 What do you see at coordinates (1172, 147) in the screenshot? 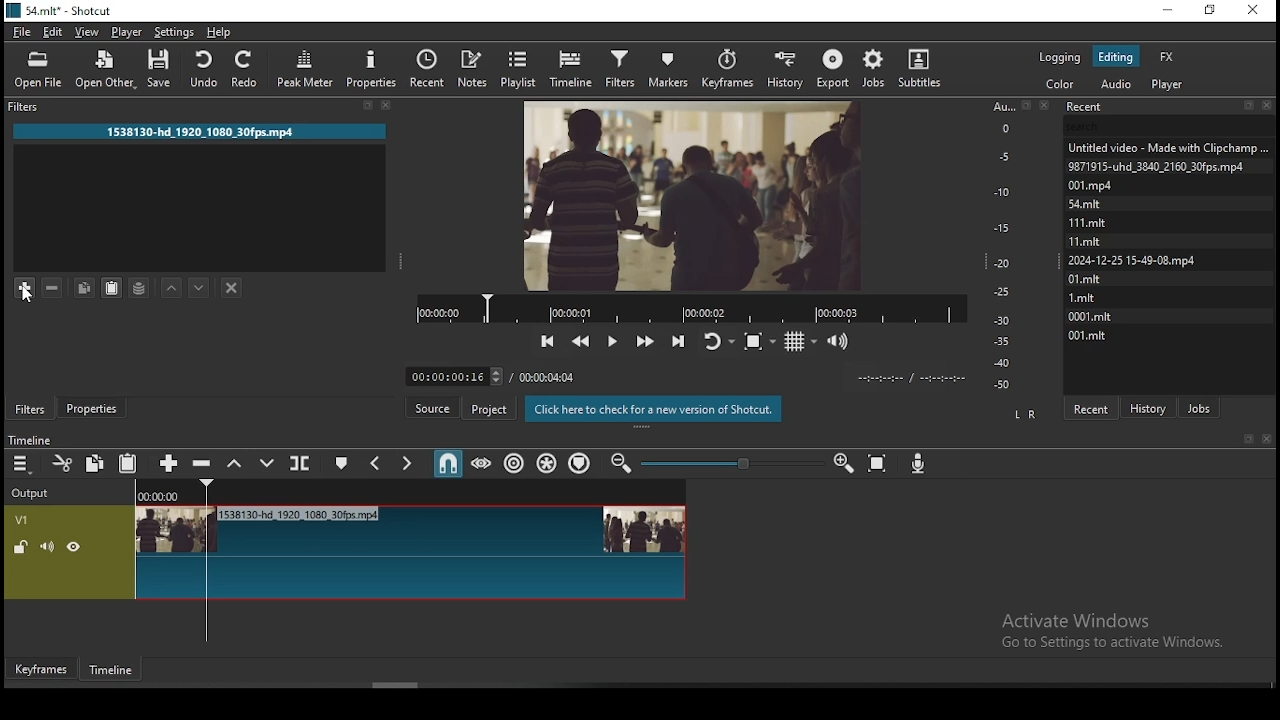
I see `Untitled video - Made with Clipchamp...` at bounding box center [1172, 147].